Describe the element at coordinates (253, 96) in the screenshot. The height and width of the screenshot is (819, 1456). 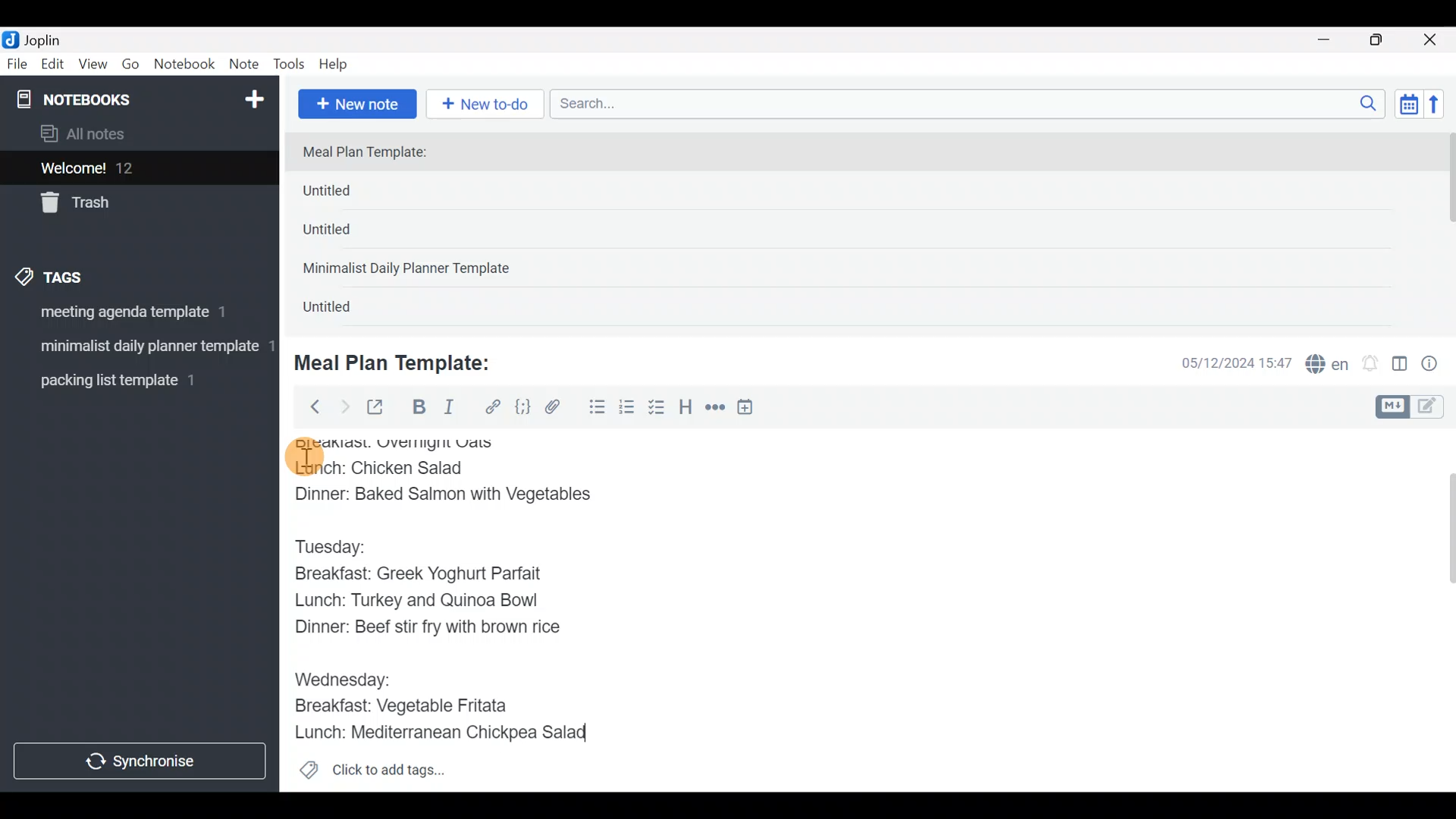
I see `New` at that location.